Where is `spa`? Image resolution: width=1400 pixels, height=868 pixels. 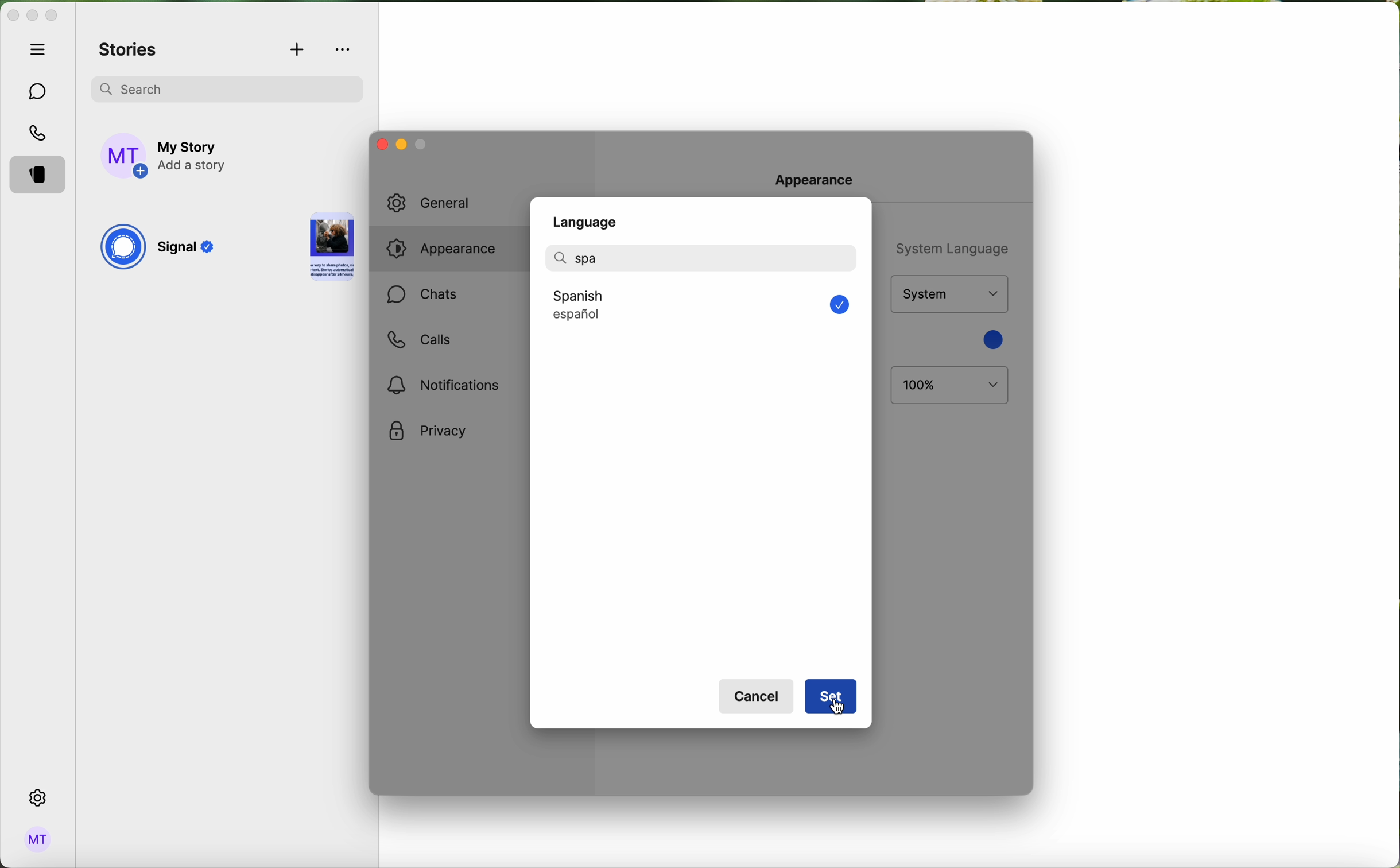
spa is located at coordinates (579, 257).